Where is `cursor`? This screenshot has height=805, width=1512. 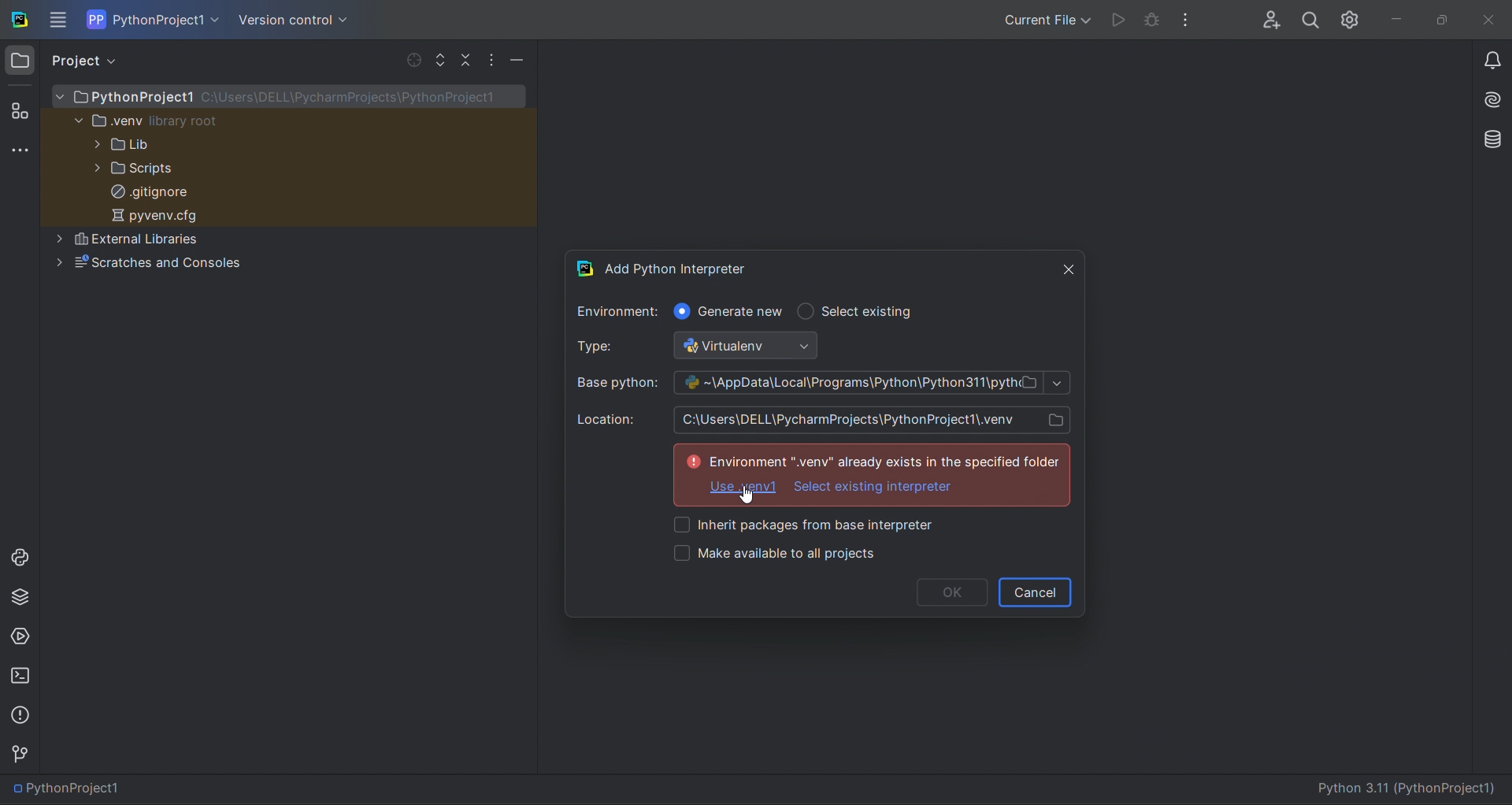 cursor is located at coordinates (745, 495).